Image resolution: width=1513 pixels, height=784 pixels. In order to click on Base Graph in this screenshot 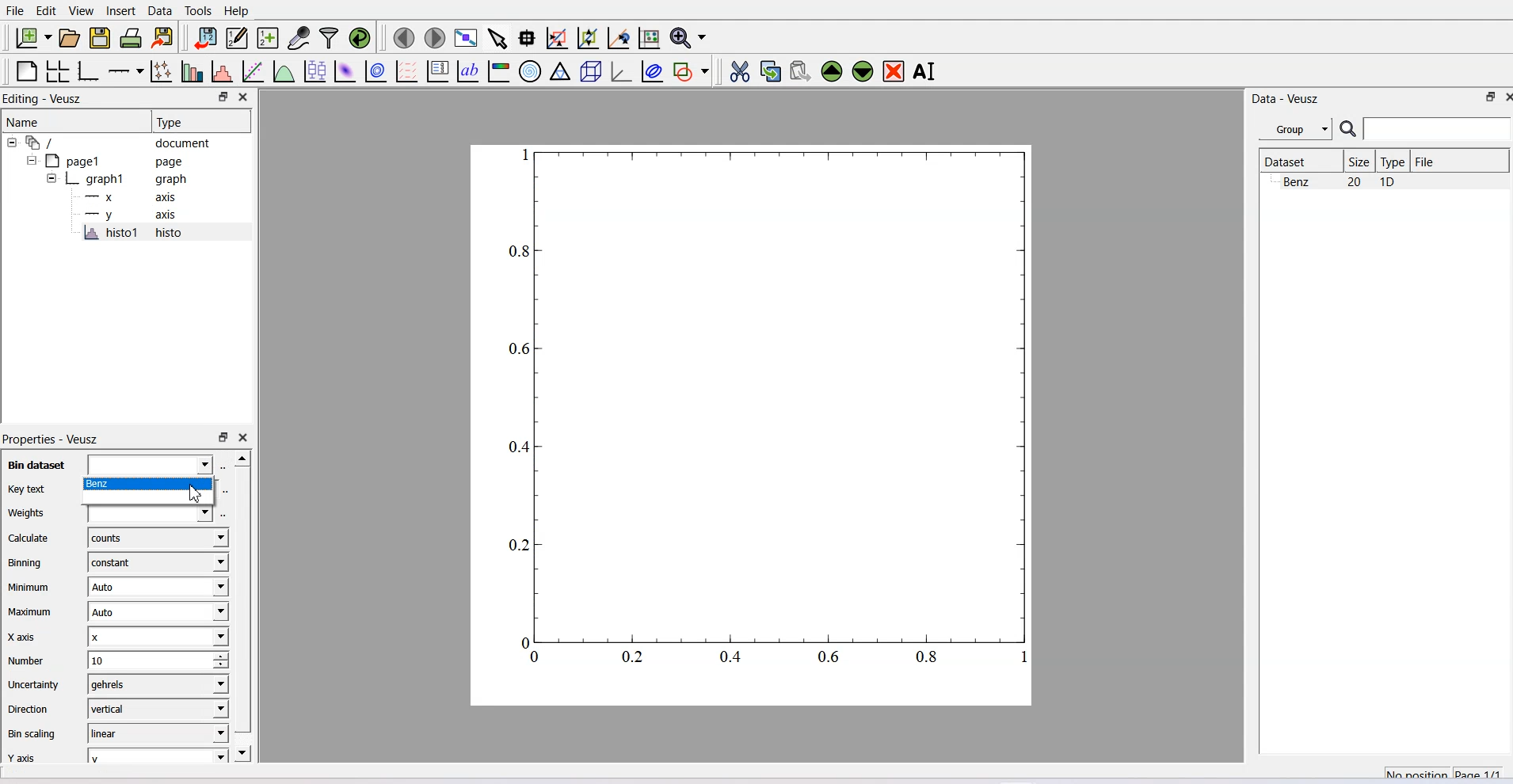, I will do `click(89, 71)`.